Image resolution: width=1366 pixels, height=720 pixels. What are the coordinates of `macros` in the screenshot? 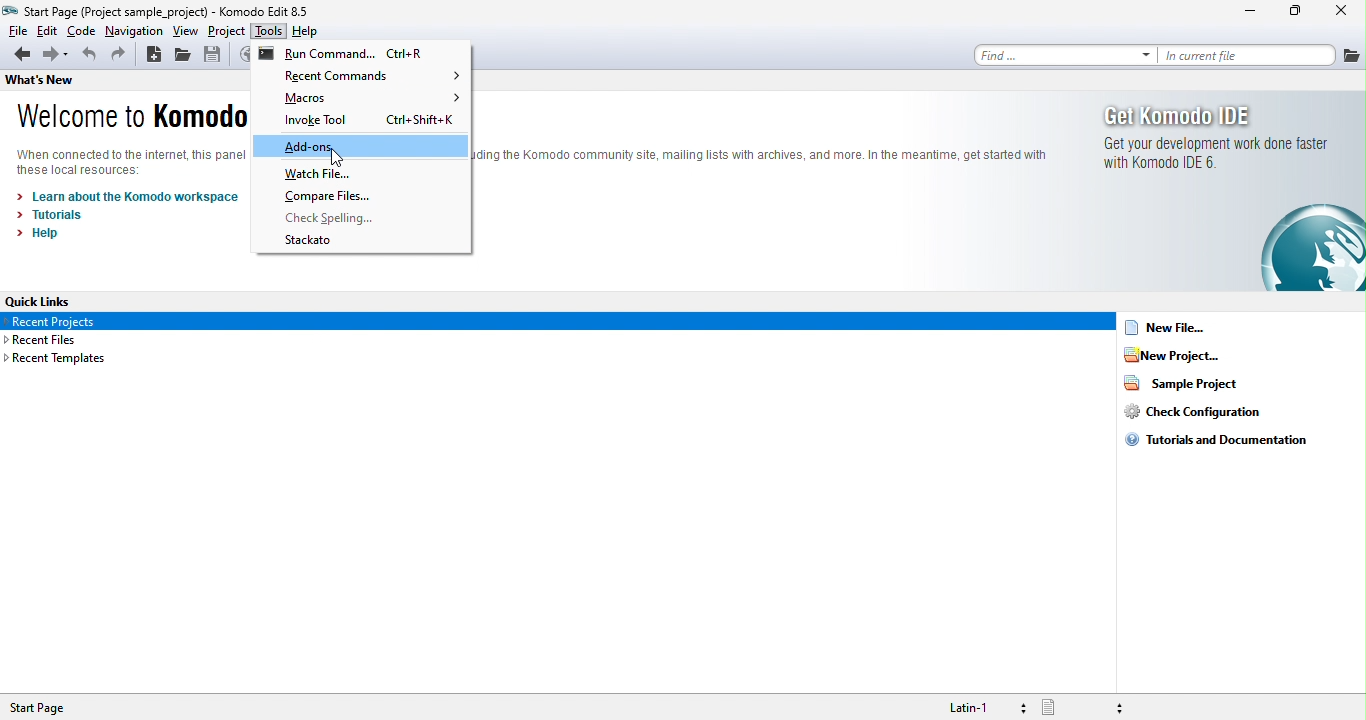 It's located at (376, 99).